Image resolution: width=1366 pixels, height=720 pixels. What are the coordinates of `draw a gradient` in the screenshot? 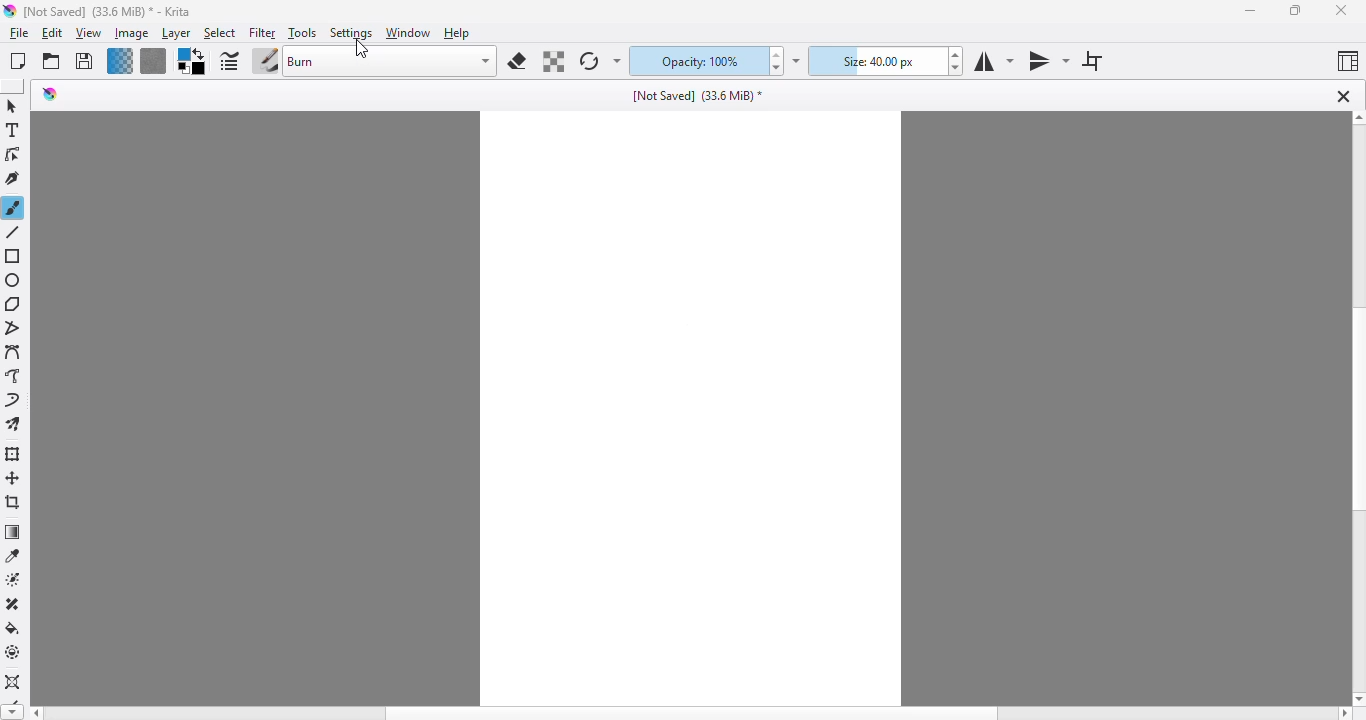 It's located at (13, 532).